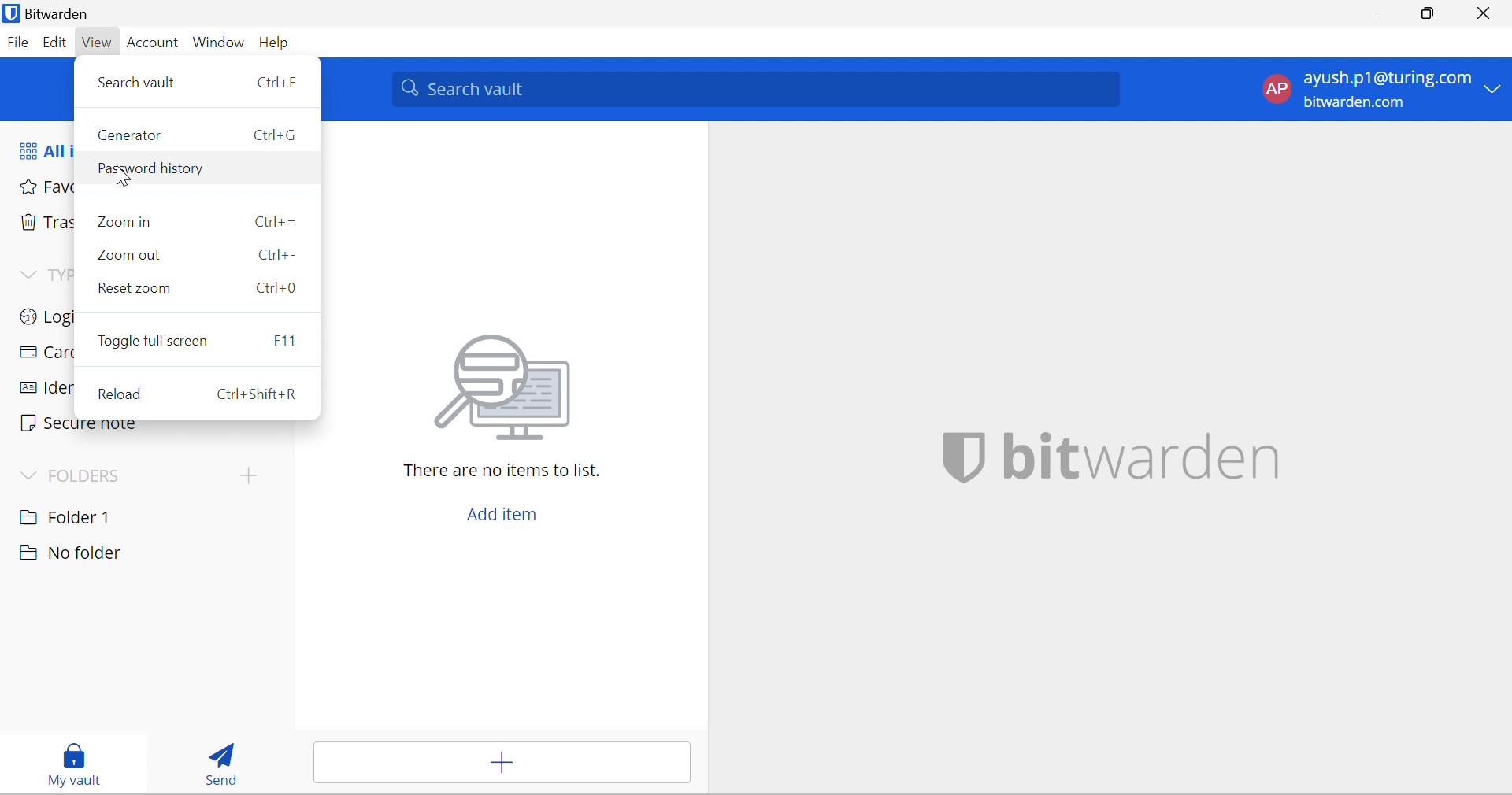 The image size is (1512, 795). I want to click on edit, so click(54, 44).